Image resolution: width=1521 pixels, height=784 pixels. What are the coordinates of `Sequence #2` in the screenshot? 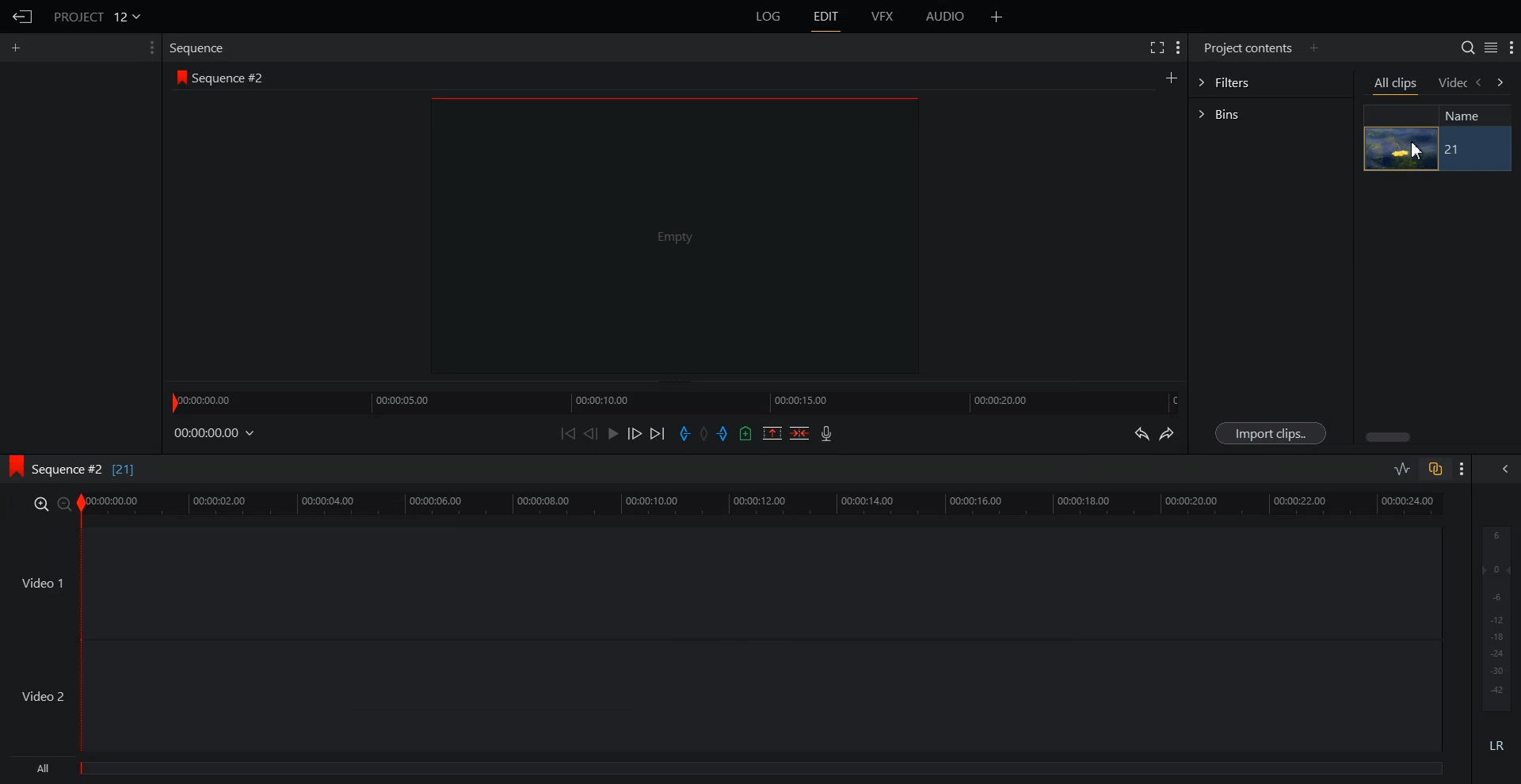 It's located at (233, 78).